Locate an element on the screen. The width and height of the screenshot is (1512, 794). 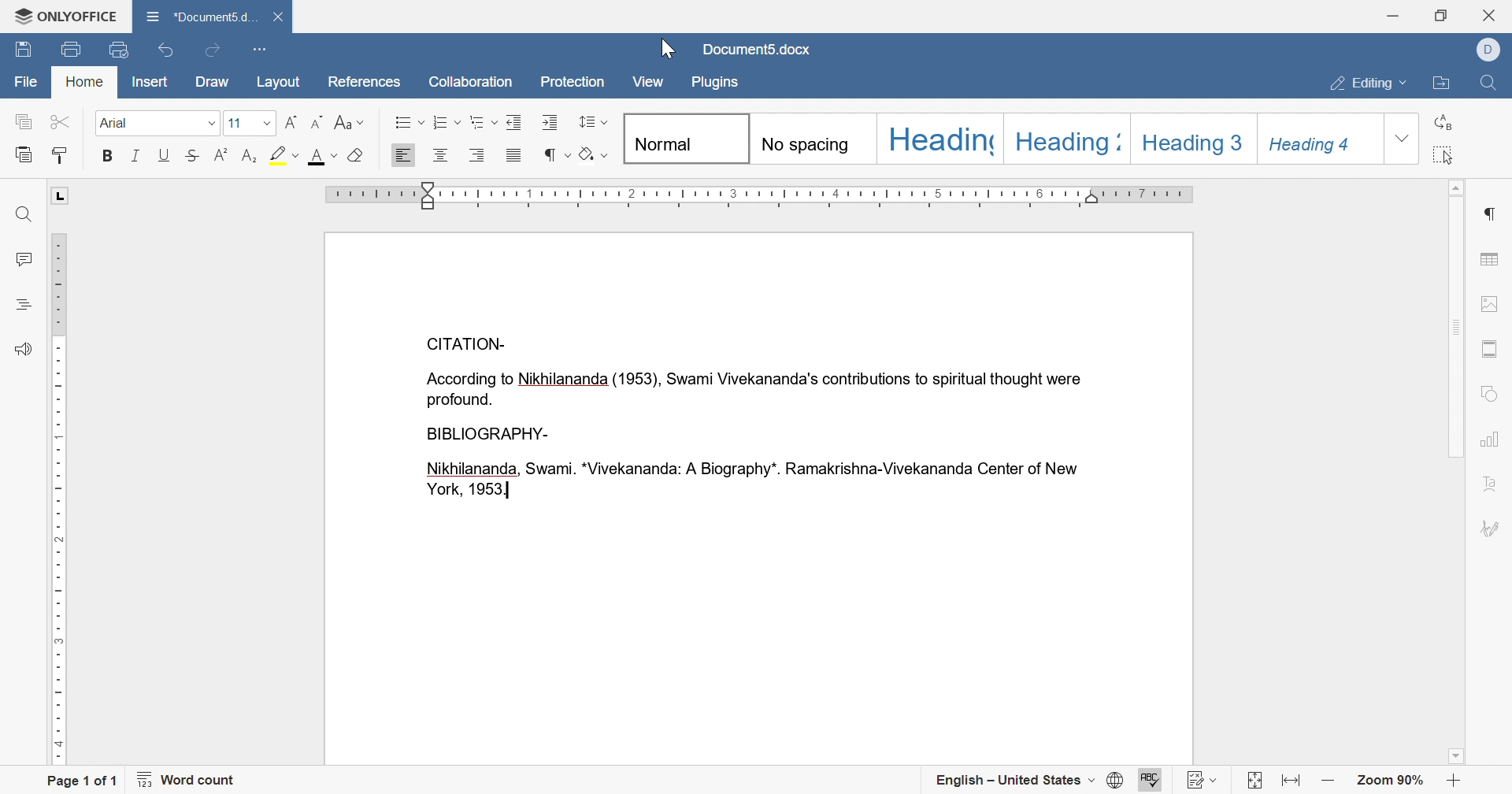
font size is located at coordinates (161, 125).